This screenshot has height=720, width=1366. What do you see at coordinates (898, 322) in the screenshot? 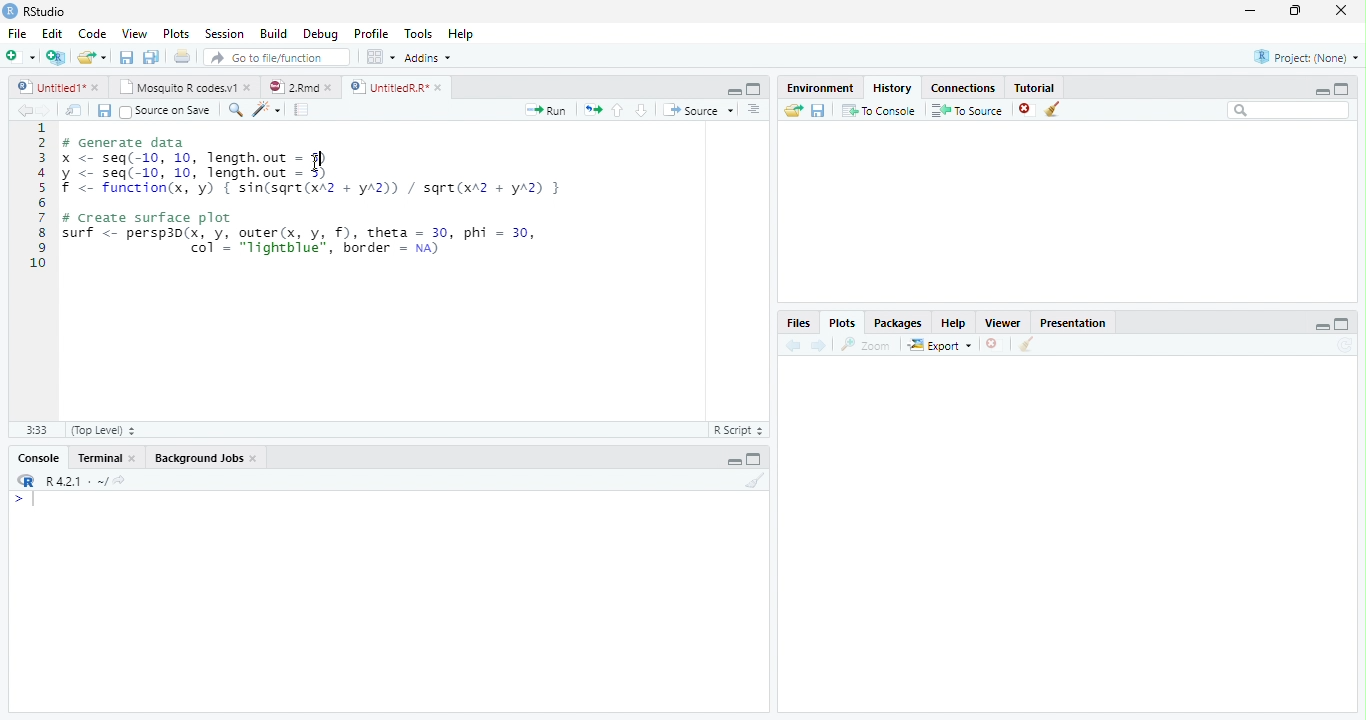
I see `Packages` at bounding box center [898, 322].